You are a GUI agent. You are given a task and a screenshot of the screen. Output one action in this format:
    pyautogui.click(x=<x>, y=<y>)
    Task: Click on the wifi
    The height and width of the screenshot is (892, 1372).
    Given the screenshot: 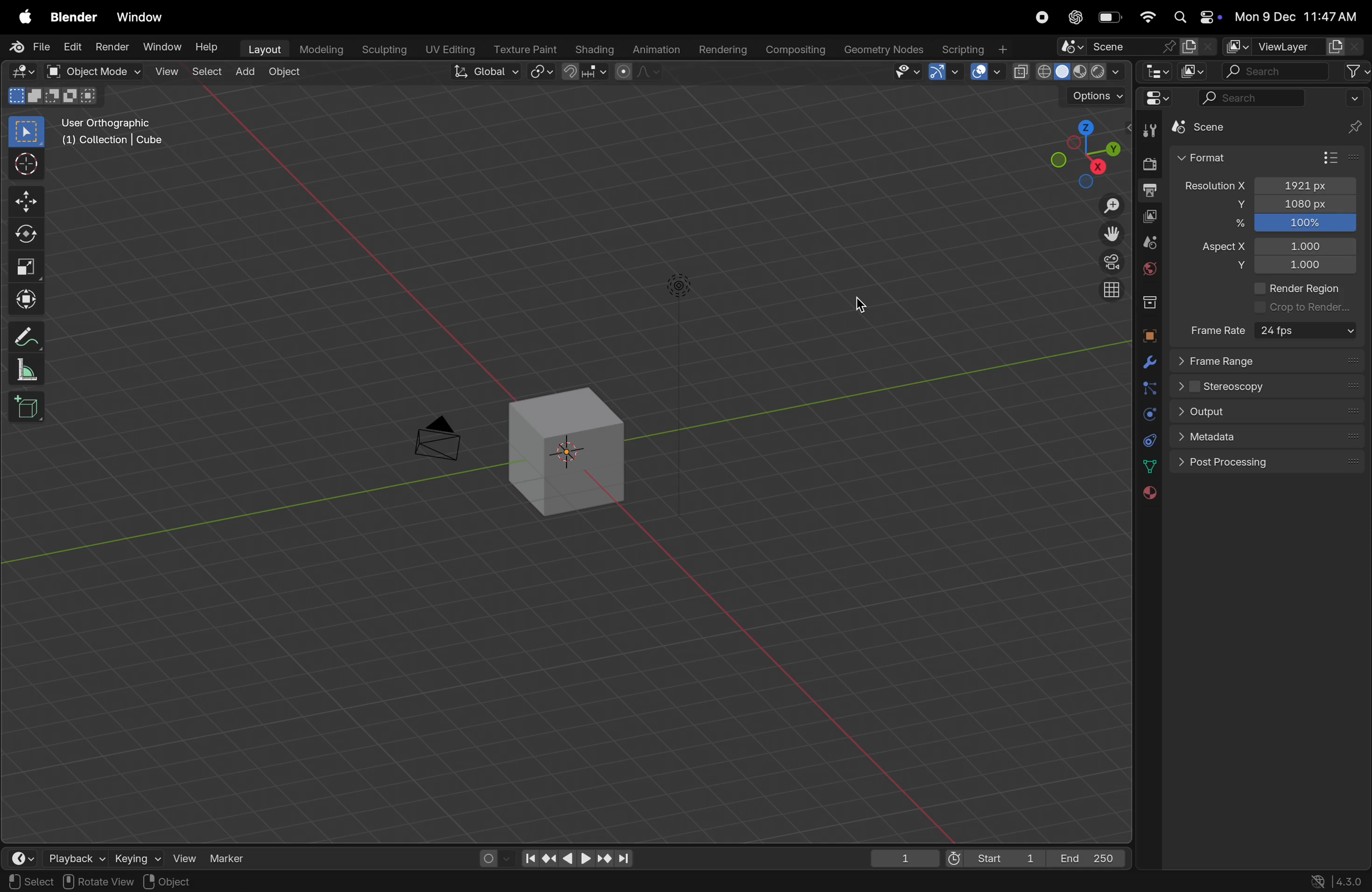 What is the action you would take?
    pyautogui.click(x=1145, y=17)
    